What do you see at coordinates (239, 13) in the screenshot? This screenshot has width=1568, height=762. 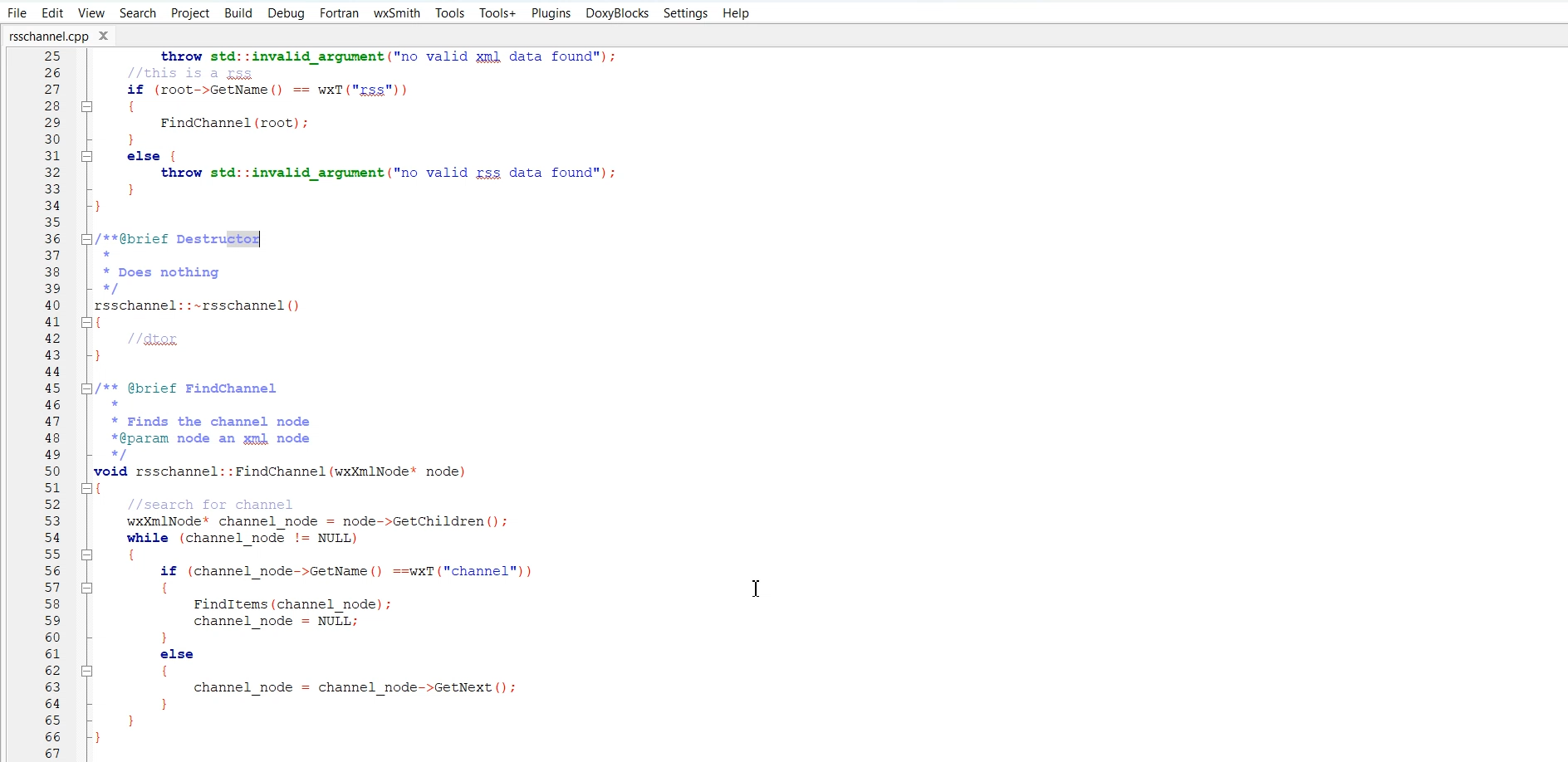 I see `Build` at bounding box center [239, 13].